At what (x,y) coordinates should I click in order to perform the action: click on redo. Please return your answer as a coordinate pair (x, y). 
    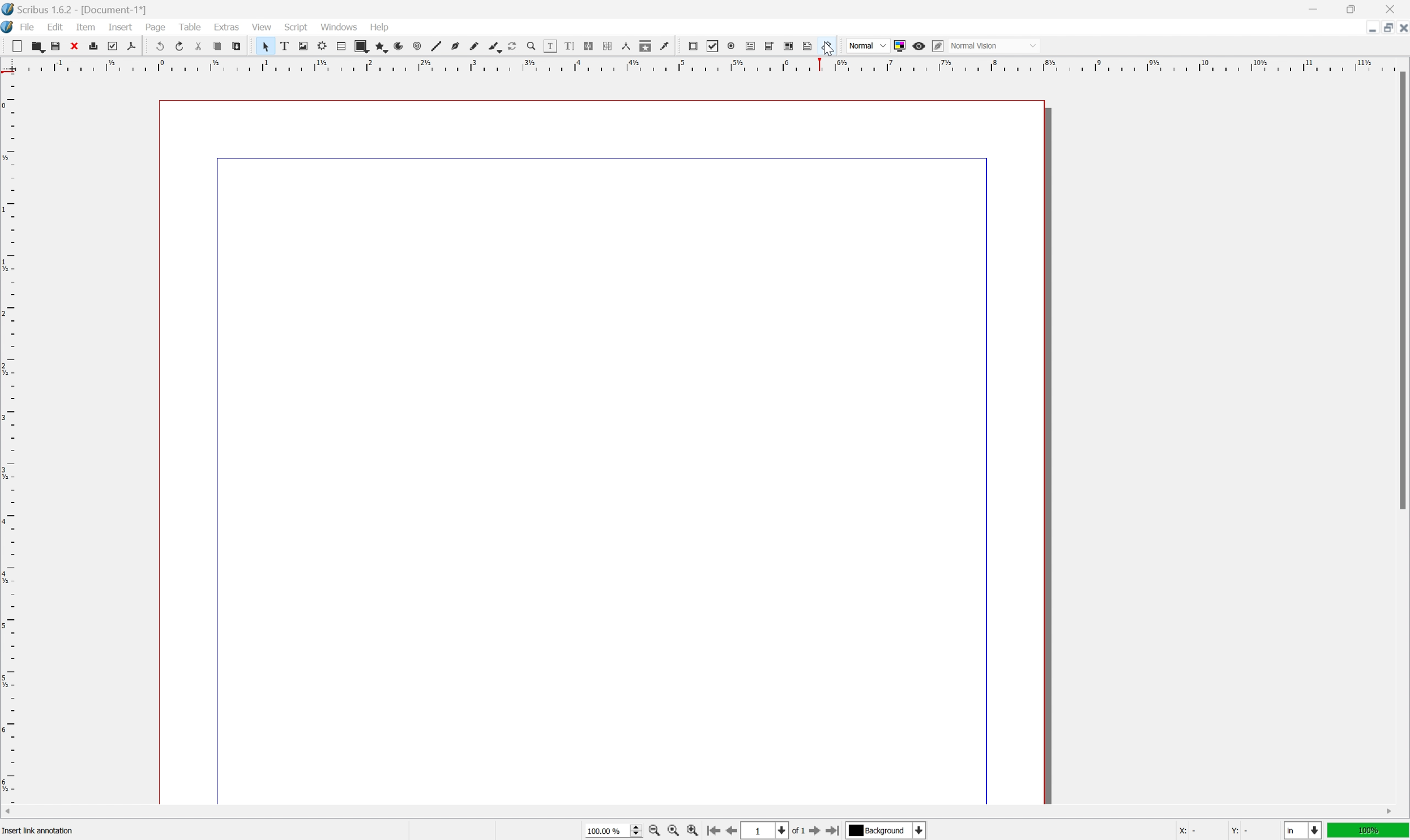
    Looking at the image, I should click on (179, 45).